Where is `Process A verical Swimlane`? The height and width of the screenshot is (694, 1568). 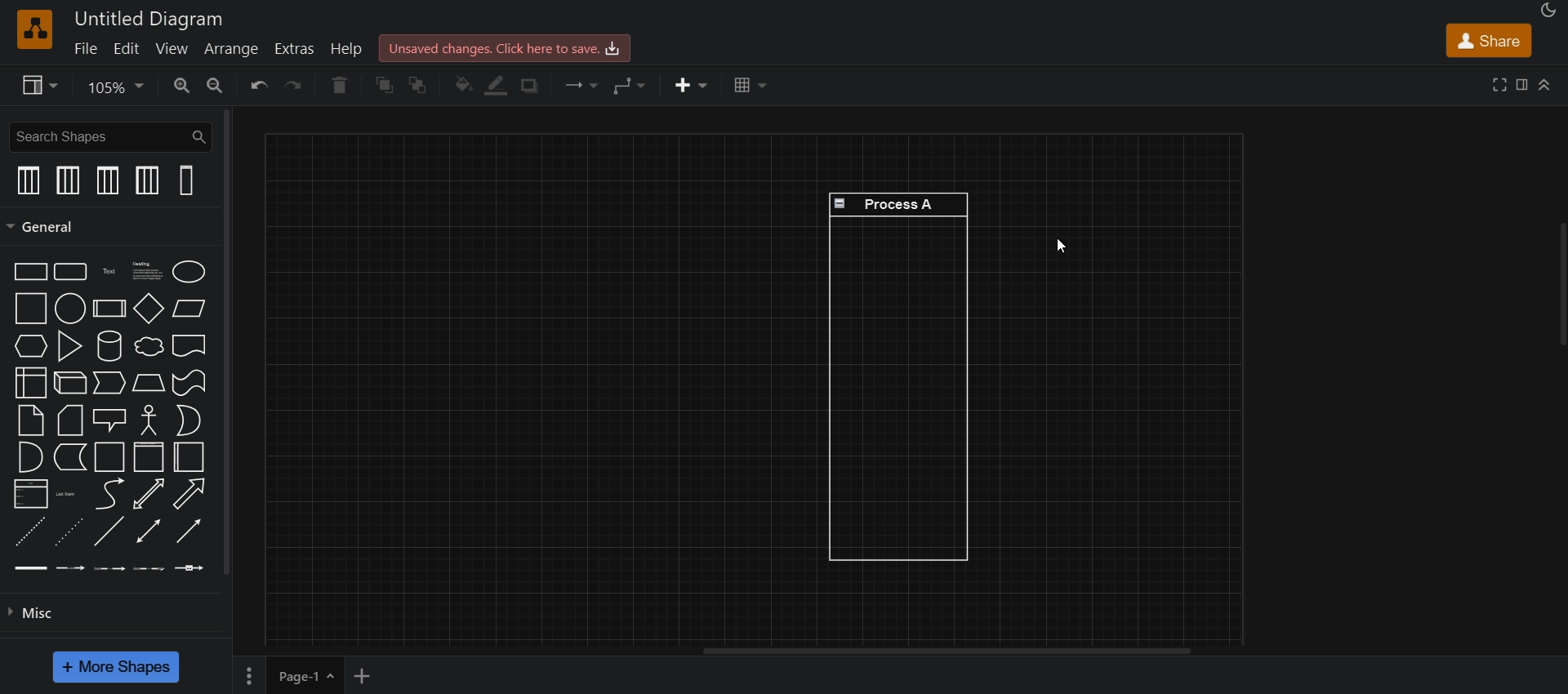 Process A verical Swimlane is located at coordinates (897, 367).